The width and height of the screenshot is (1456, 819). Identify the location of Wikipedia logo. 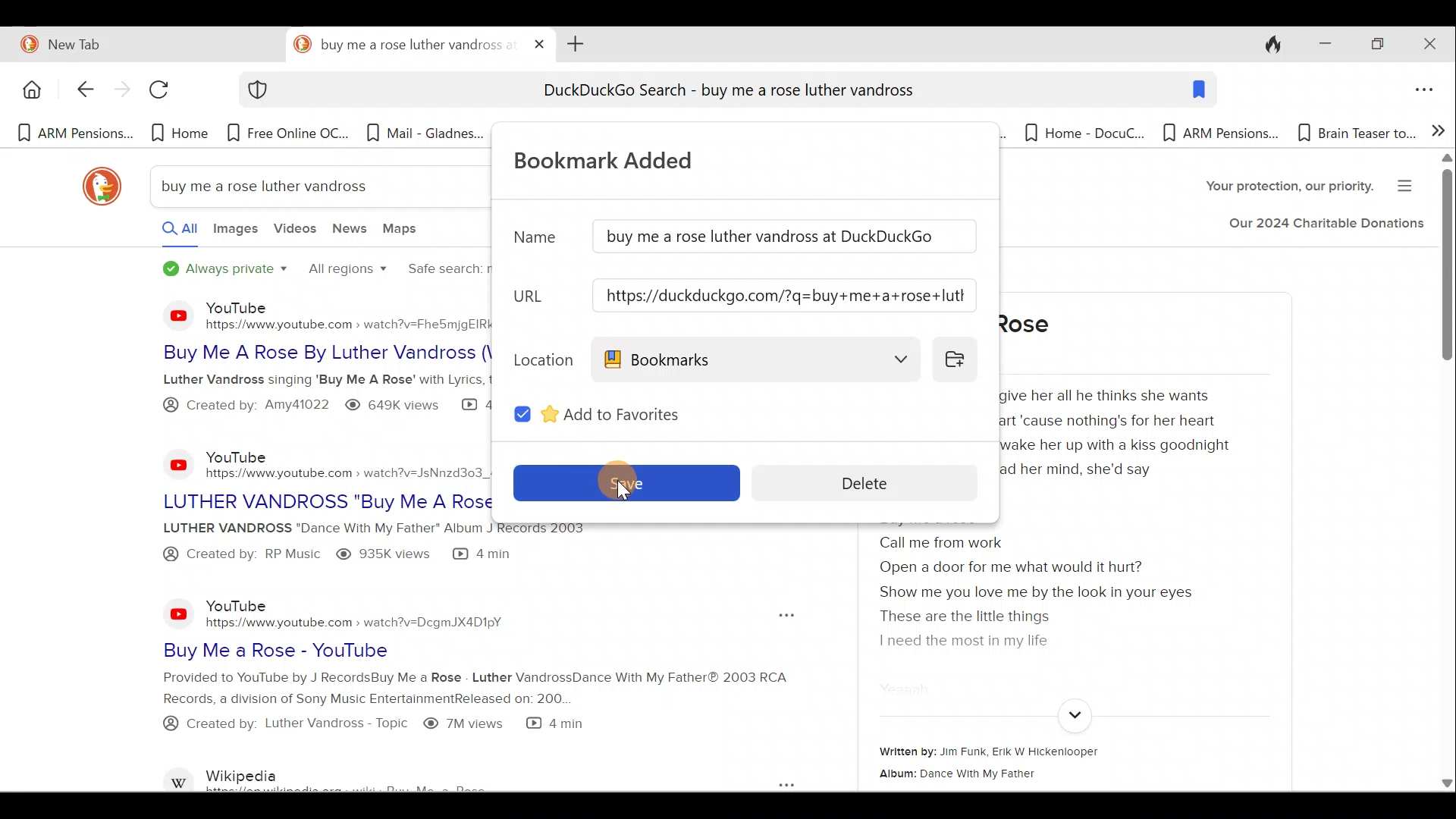
(180, 777).